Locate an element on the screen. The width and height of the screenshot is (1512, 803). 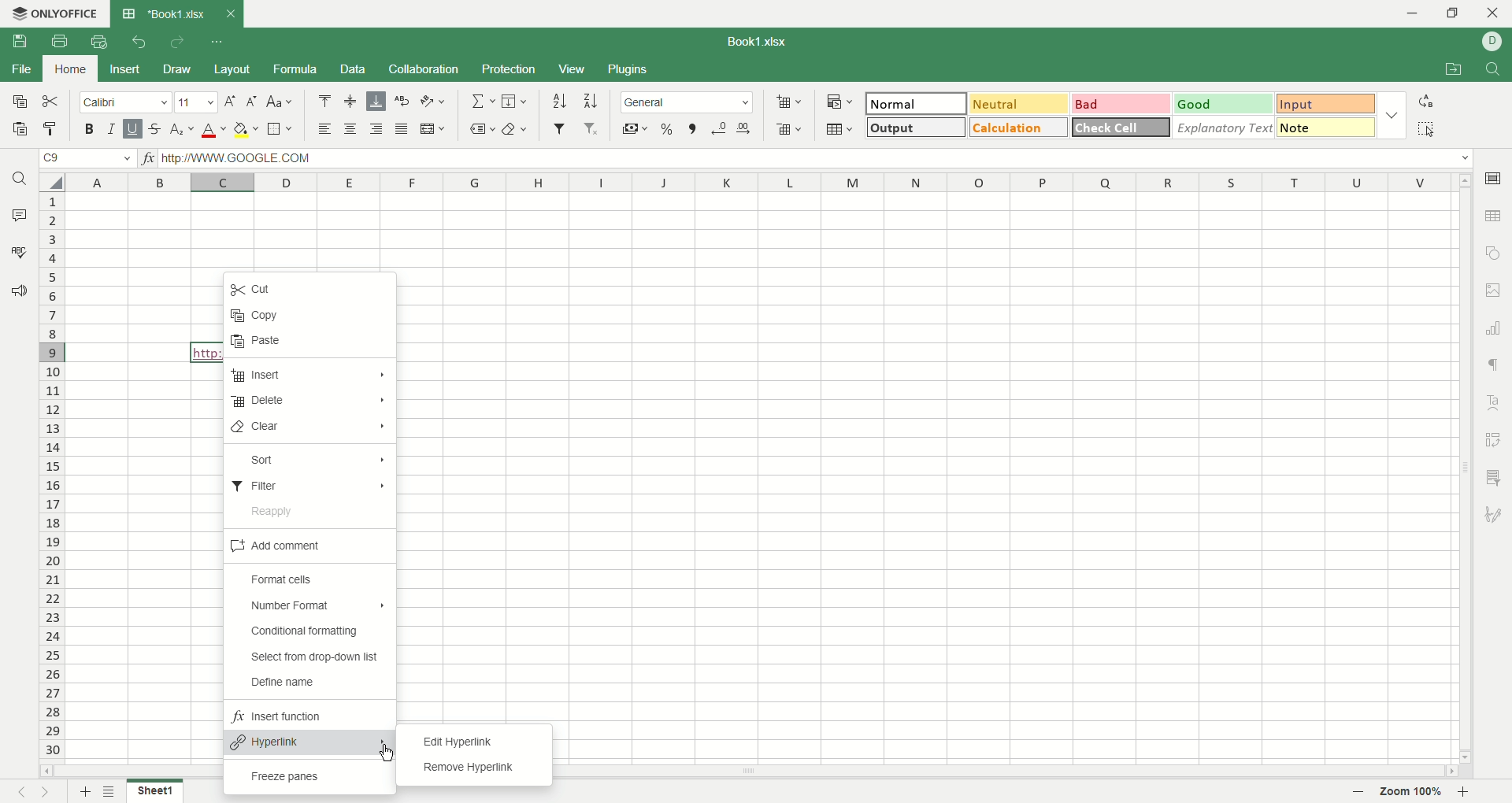
draw is located at coordinates (177, 69).